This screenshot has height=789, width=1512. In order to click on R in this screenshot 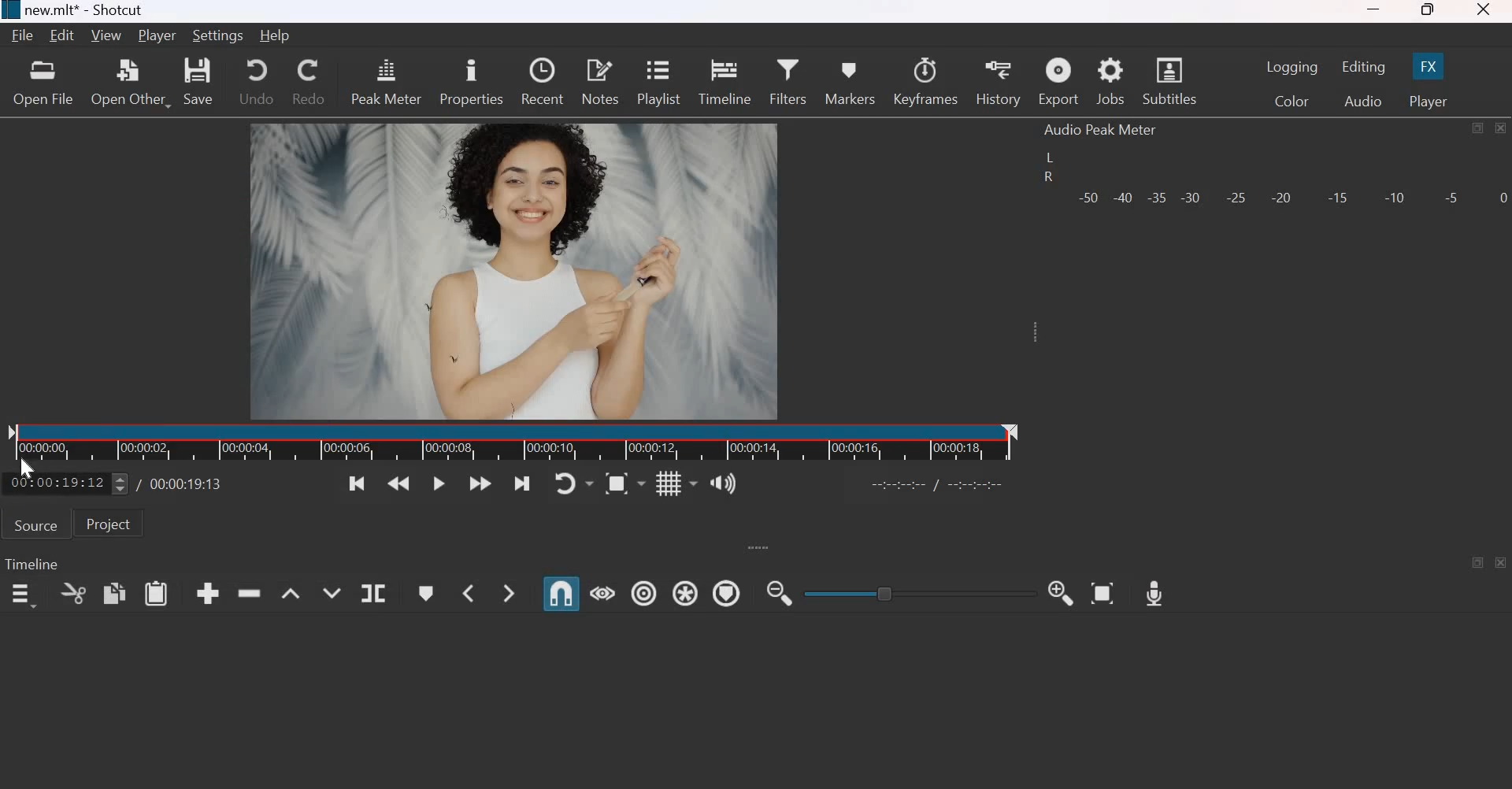, I will do `click(1047, 179)`.